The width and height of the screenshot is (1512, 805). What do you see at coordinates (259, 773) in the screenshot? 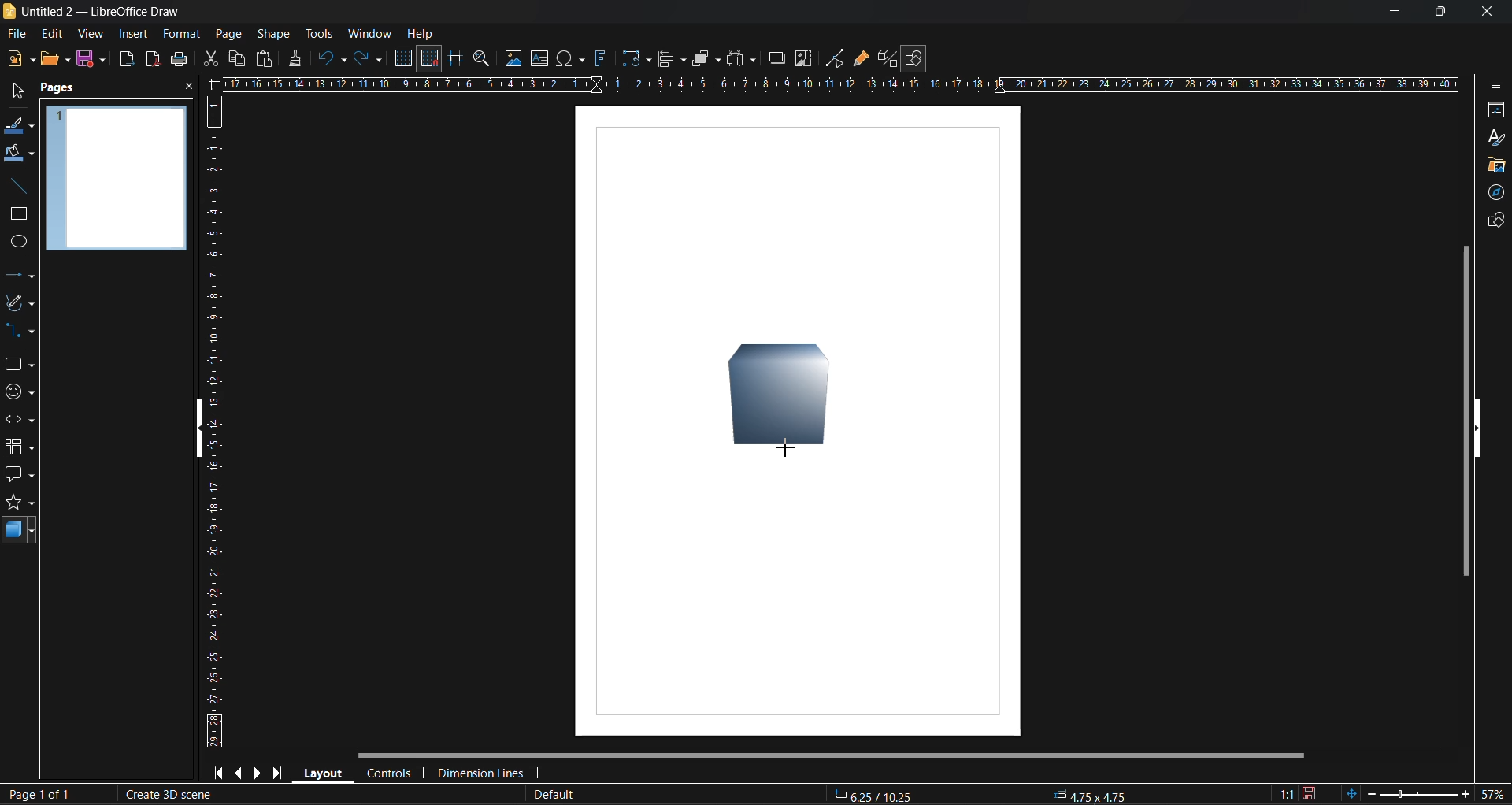
I see `next` at bounding box center [259, 773].